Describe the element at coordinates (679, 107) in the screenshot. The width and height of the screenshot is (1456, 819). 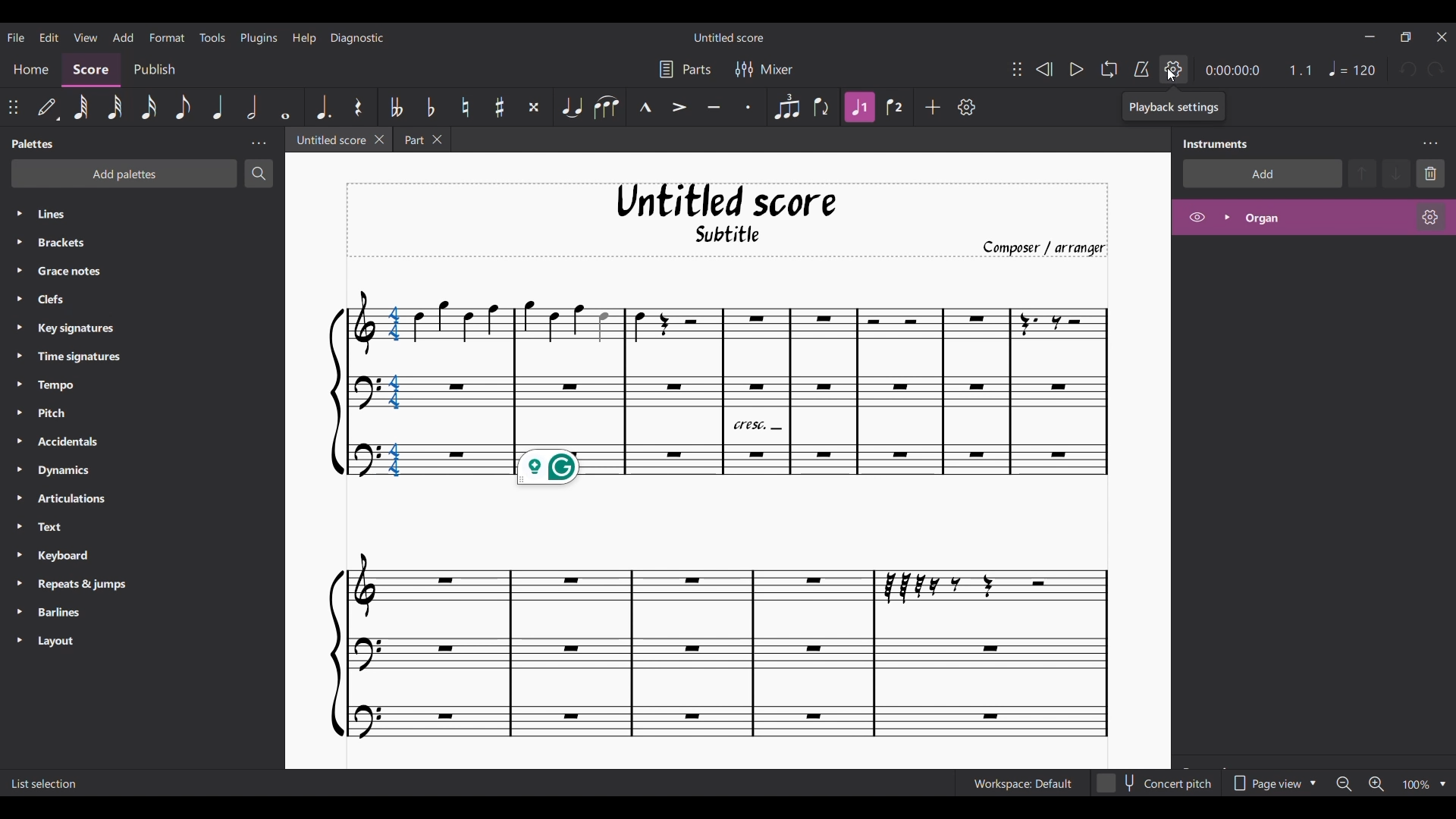
I see `Accent` at that location.